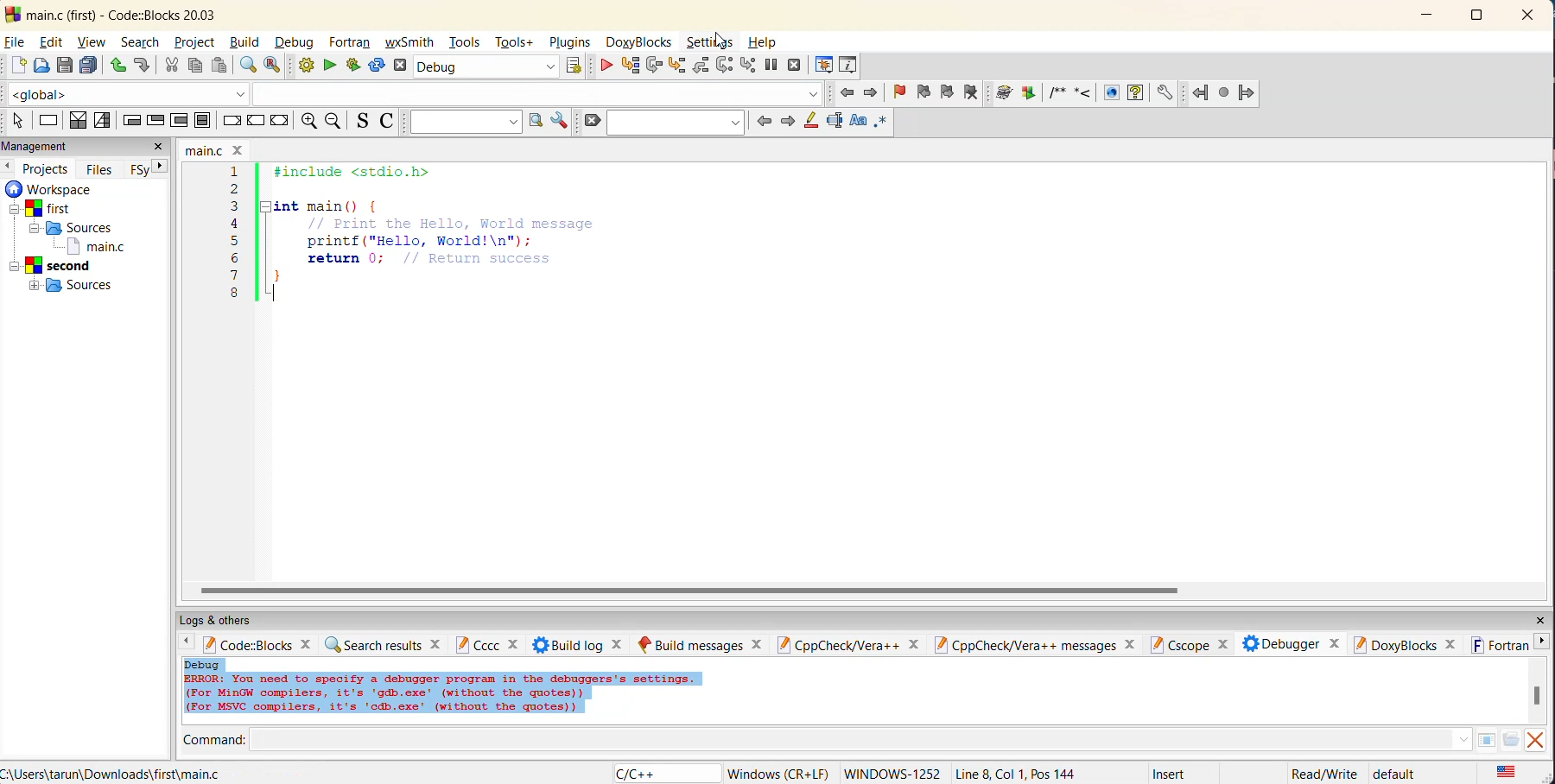 Image resolution: width=1555 pixels, height=784 pixels. Describe the element at coordinates (874, 95) in the screenshot. I see `jump forward` at that location.